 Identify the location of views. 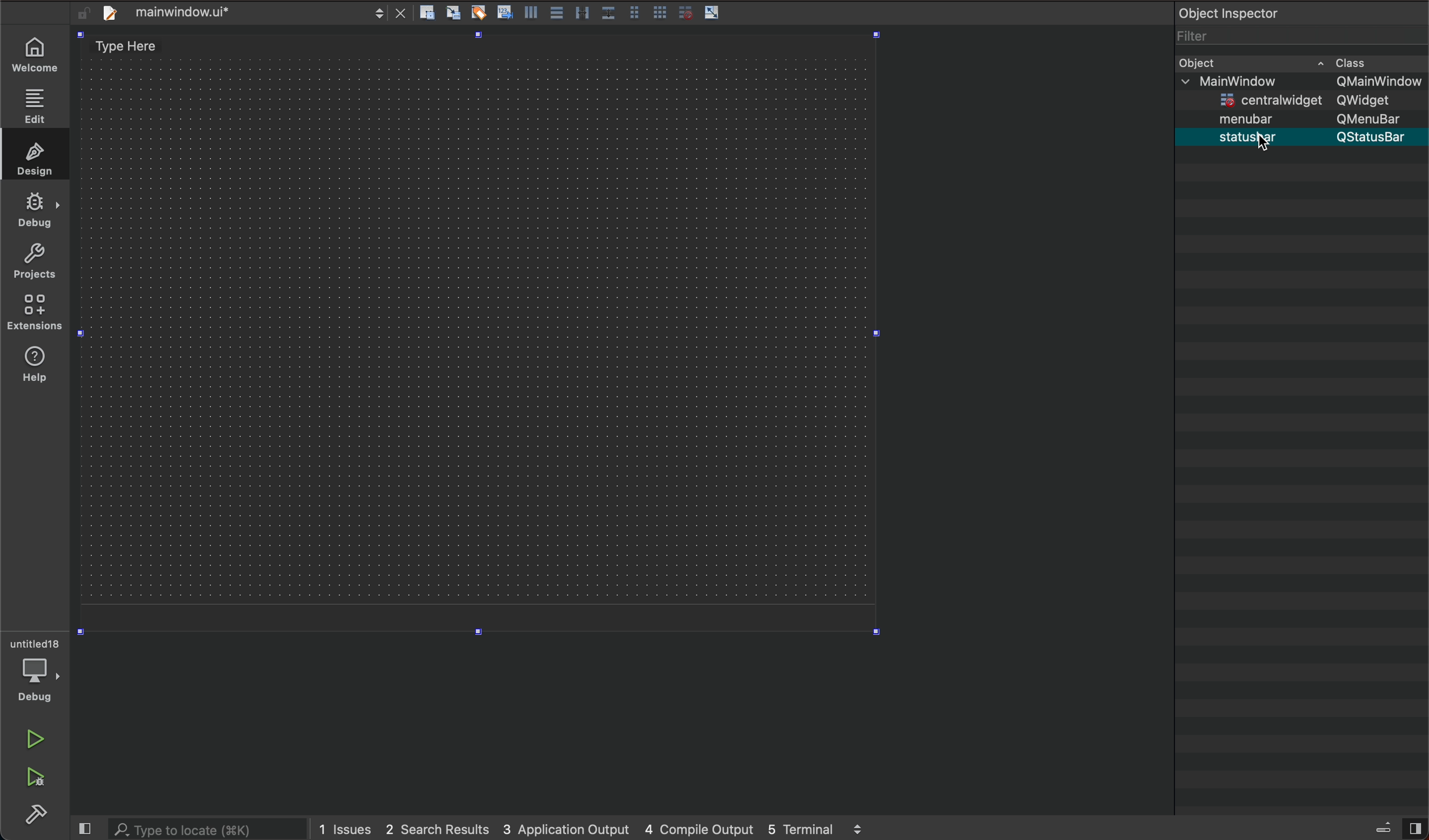
(1398, 827).